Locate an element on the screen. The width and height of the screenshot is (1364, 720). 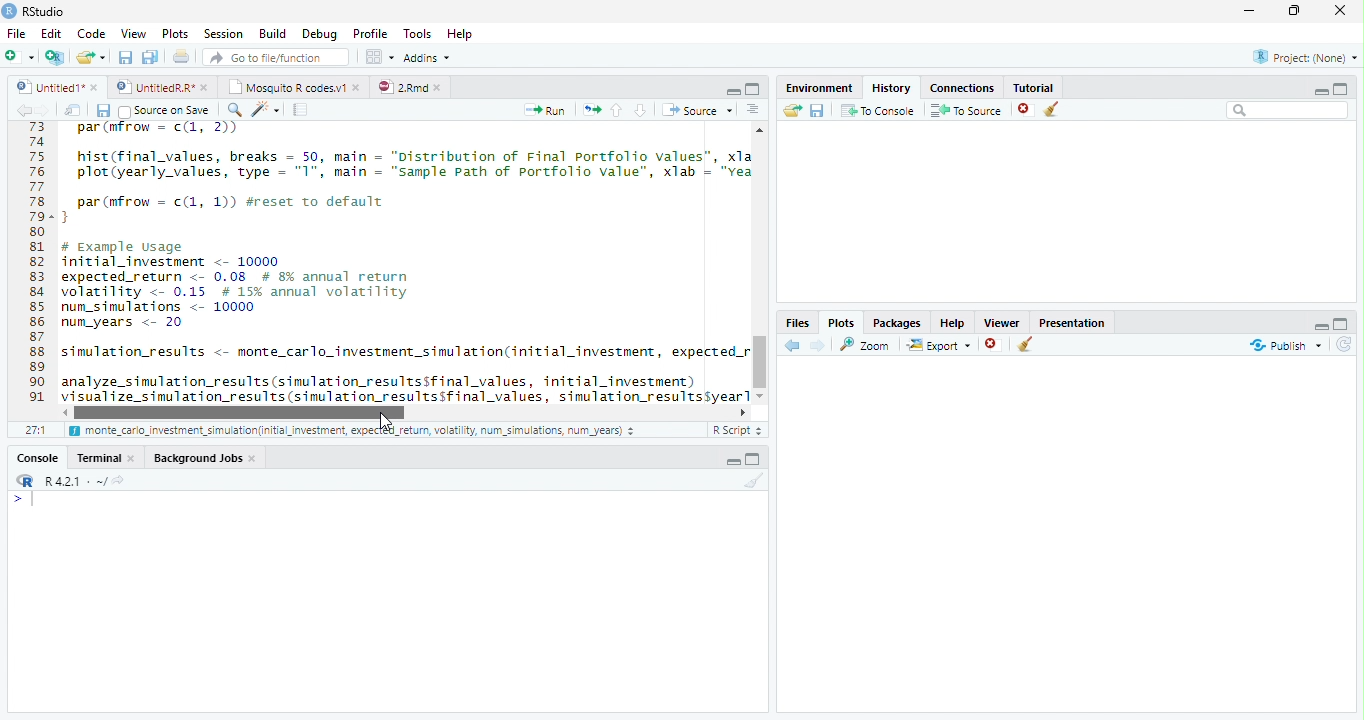
Code Tools is located at coordinates (266, 110).